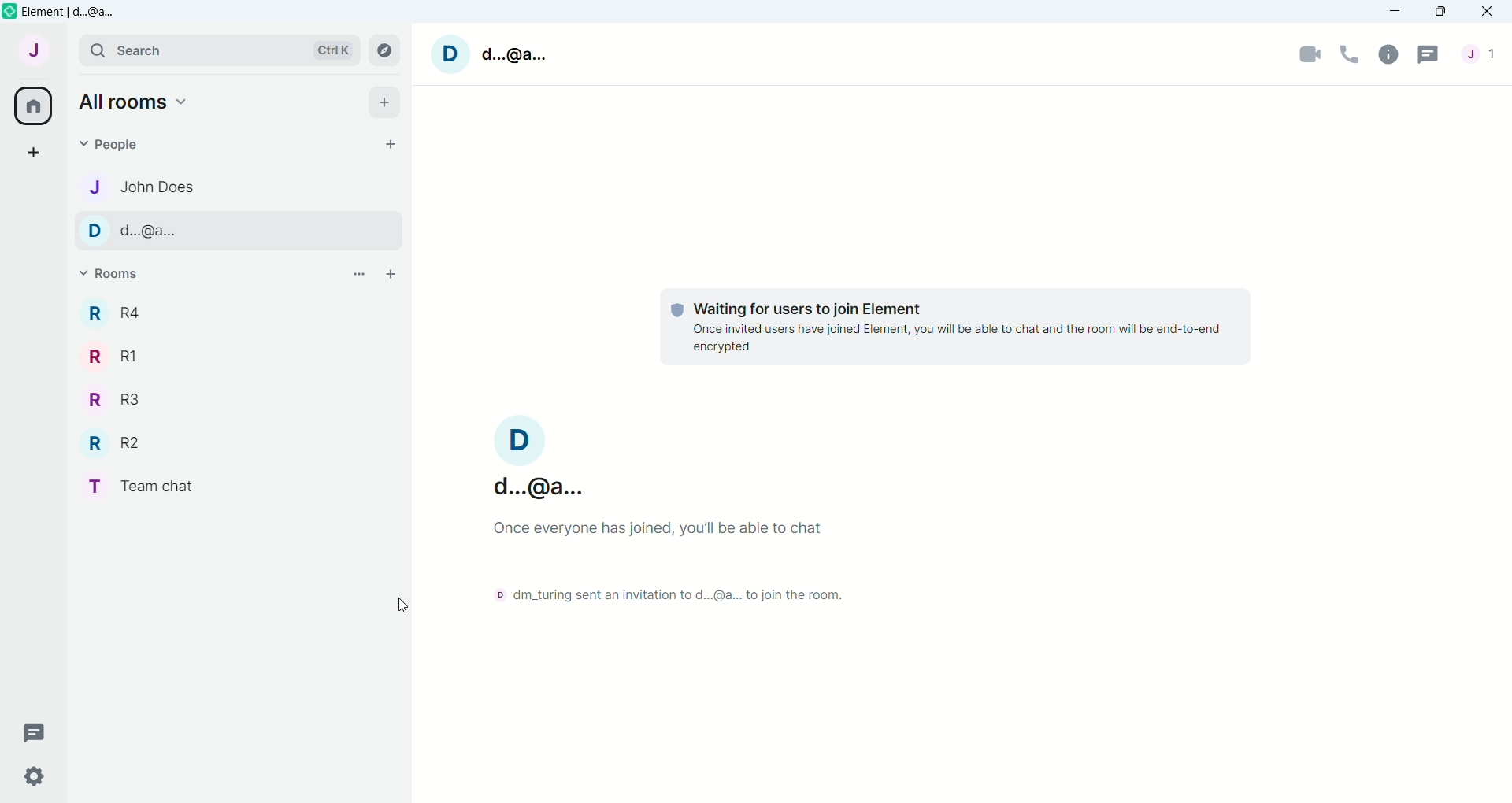  What do you see at coordinates (384, 104) in the screenshot?
I see `Add` at bounding box center [384, 104].